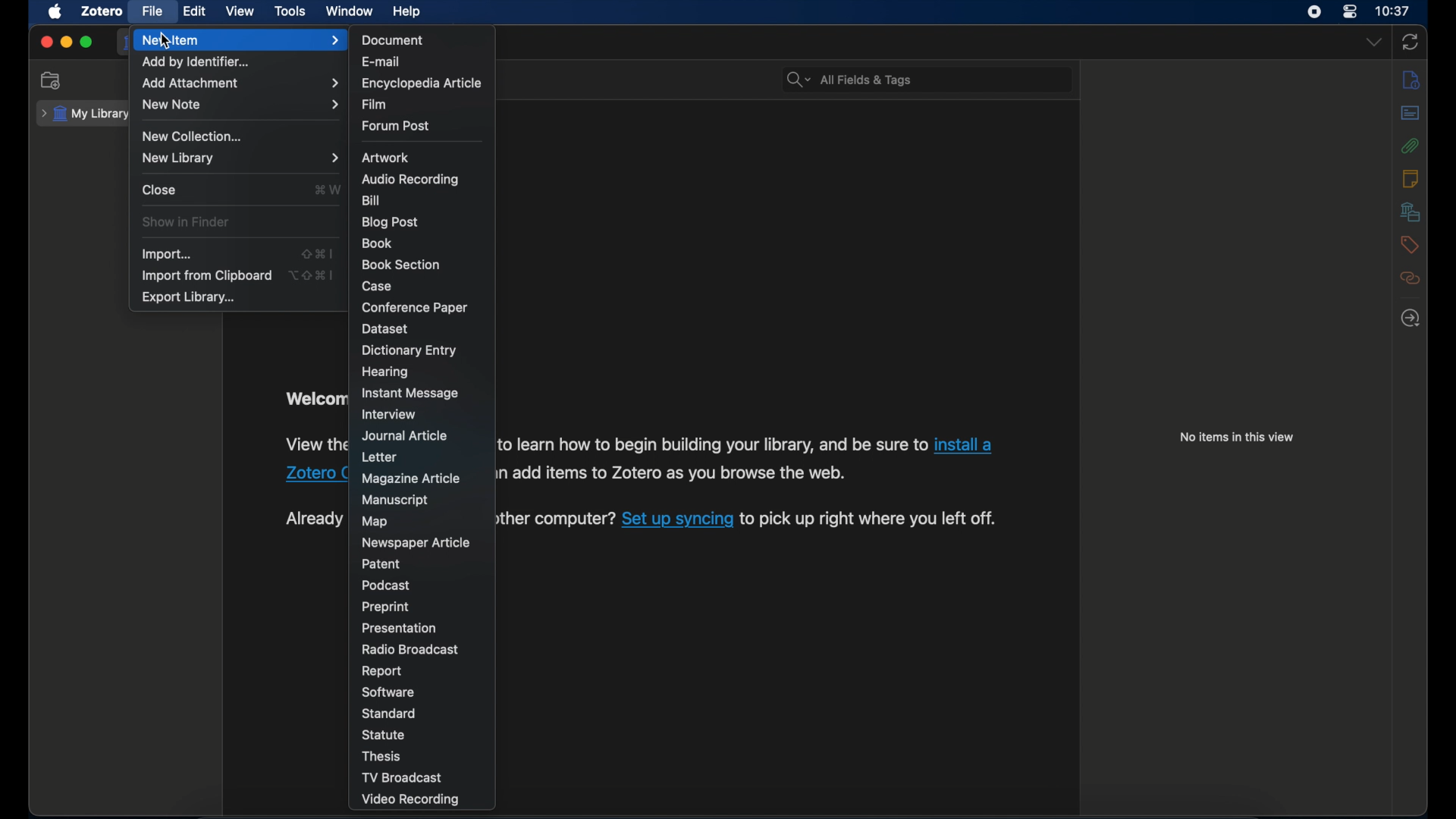 The image size is (1456, 819). Describe the element at coordinates (1410, 318) in the screenshot. I see `late` at that location.